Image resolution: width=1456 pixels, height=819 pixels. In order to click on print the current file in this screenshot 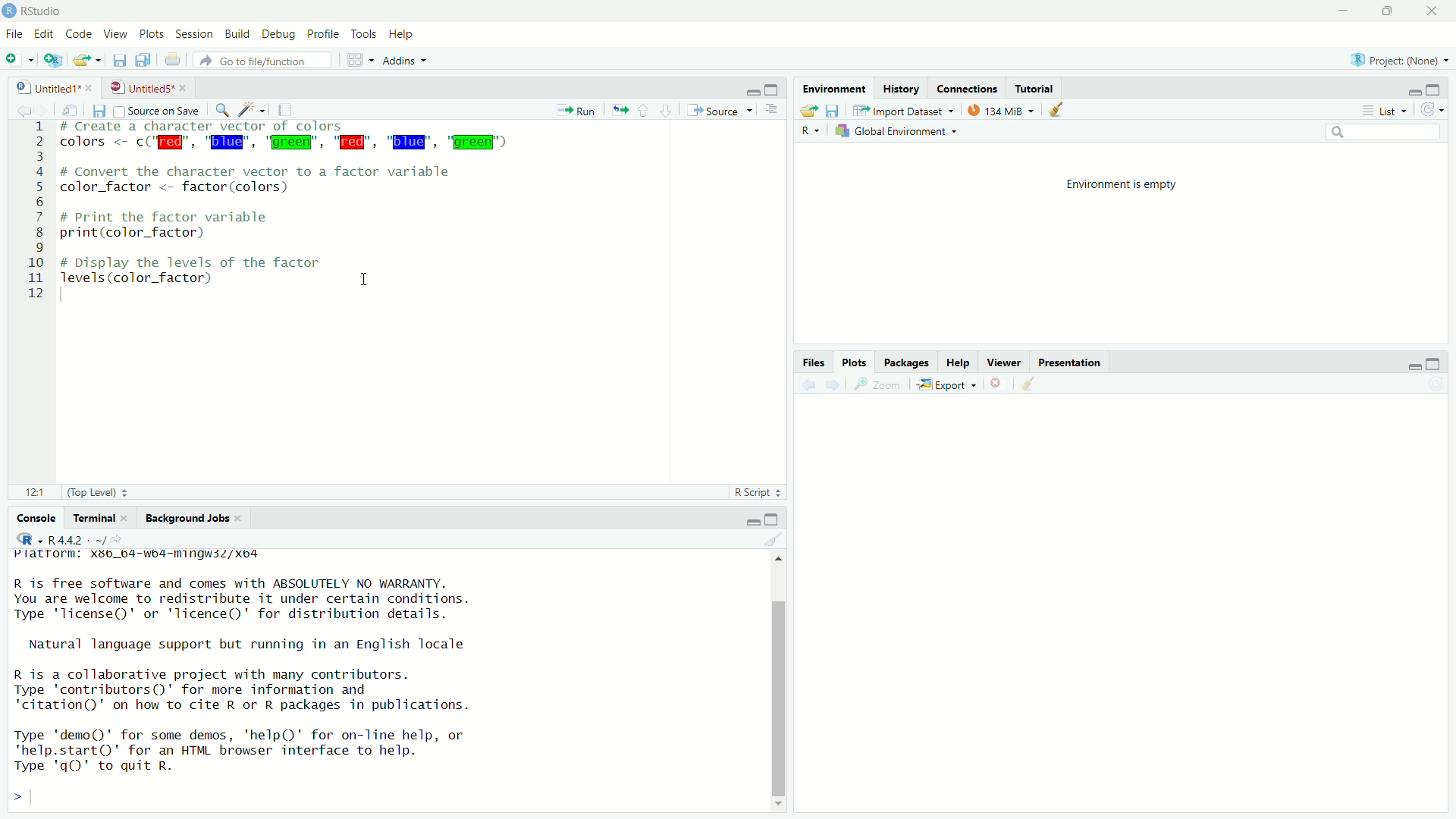, I will do `click(173, 59)`.